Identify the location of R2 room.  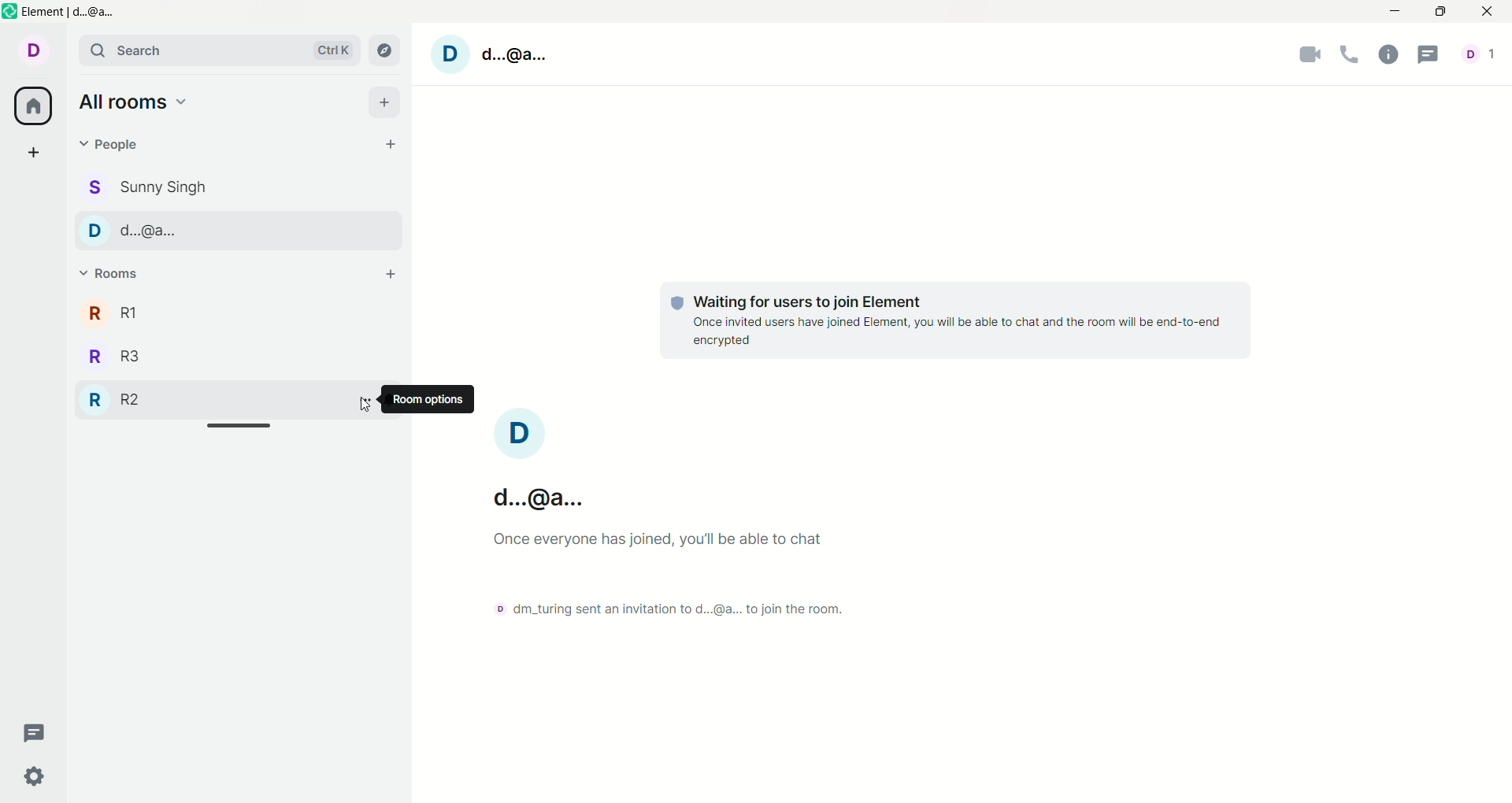
(114, 402).